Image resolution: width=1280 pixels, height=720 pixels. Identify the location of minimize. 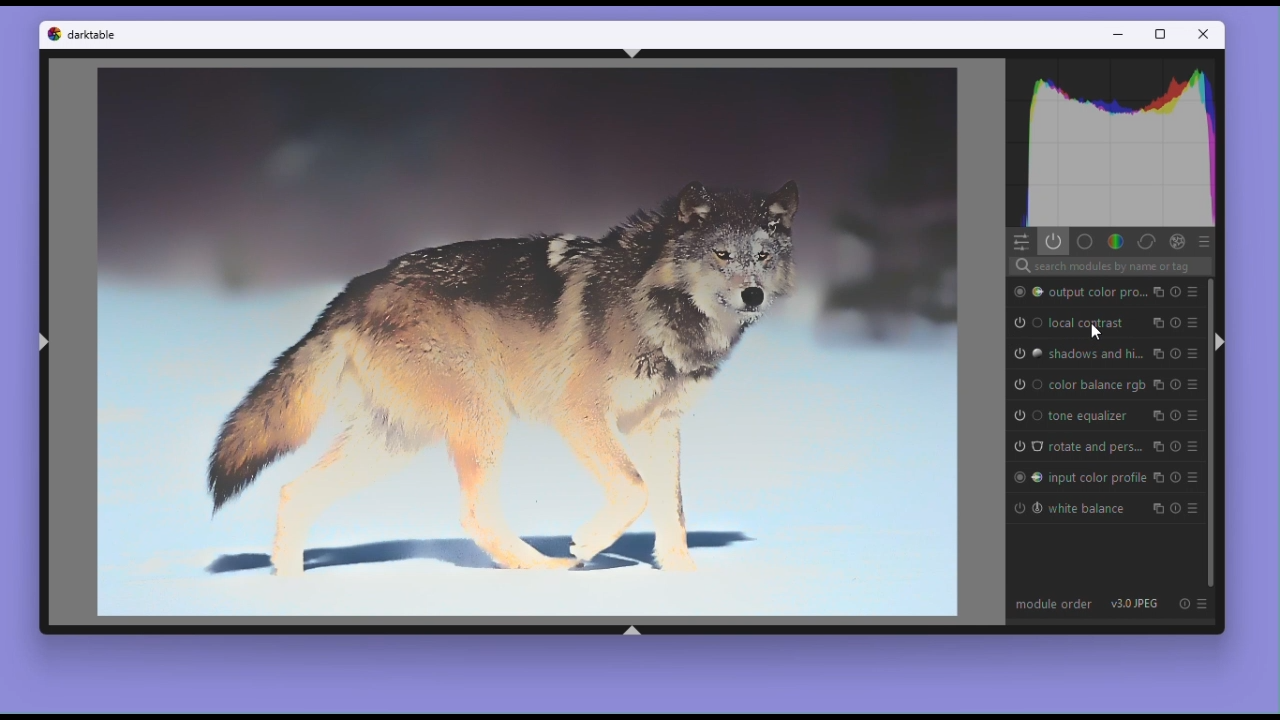
(1122, 35).